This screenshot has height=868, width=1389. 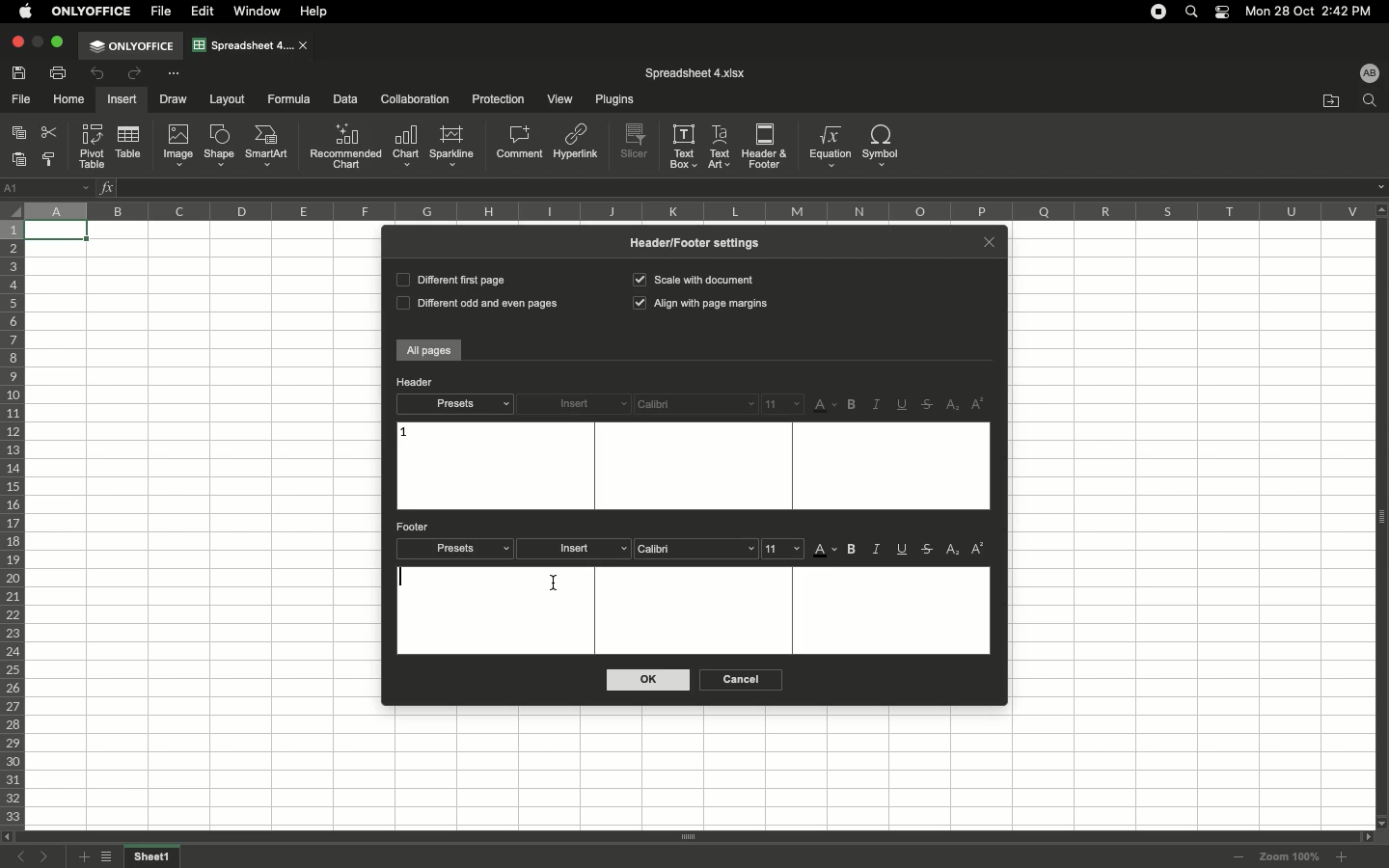 What do you see at coordinates (48, 186) in the screenshot?
I see `Name manager` at bounding box center [48, 186].